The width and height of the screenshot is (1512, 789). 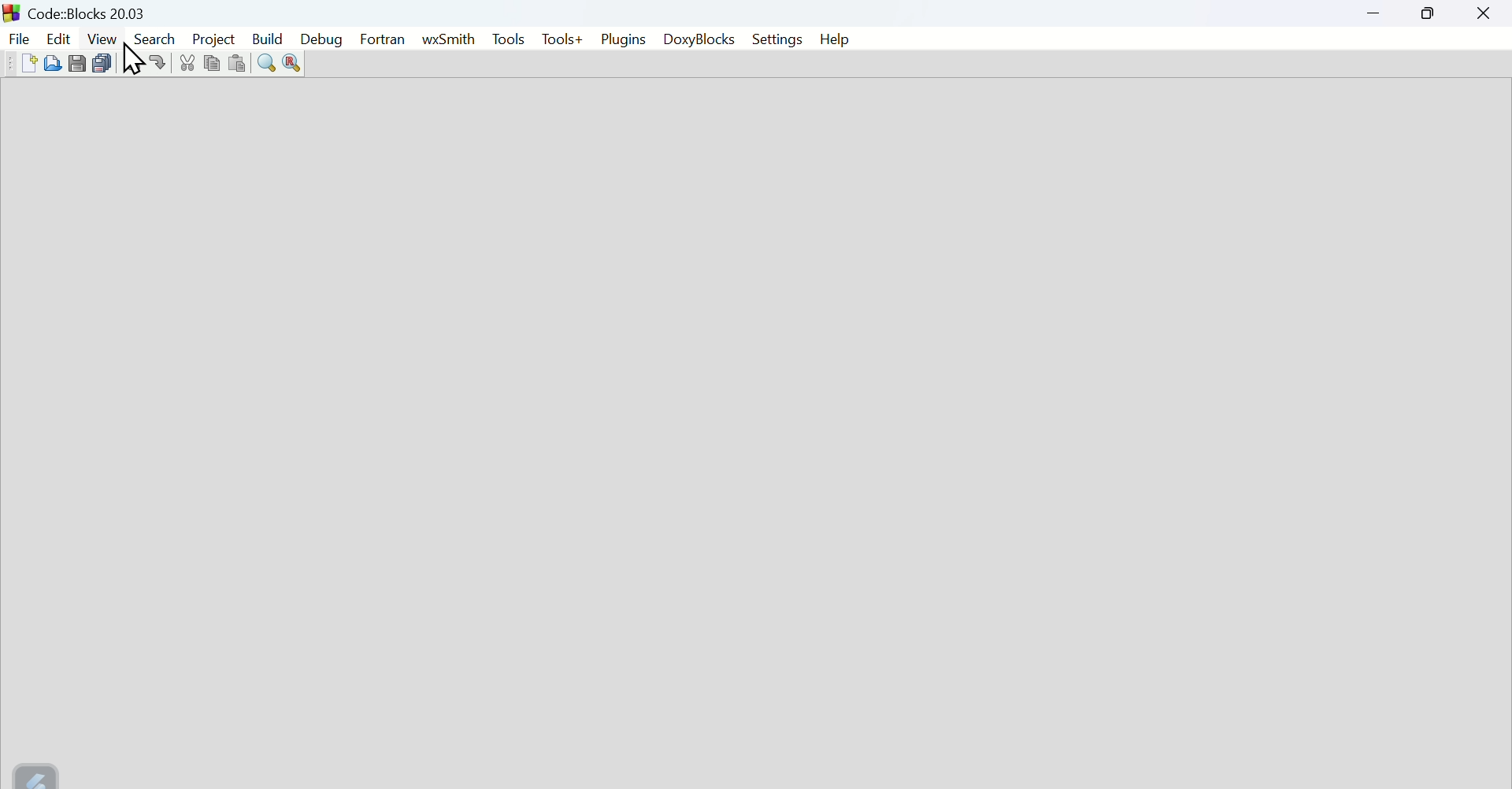 I want to click on Build, so click(x=267, y=39).